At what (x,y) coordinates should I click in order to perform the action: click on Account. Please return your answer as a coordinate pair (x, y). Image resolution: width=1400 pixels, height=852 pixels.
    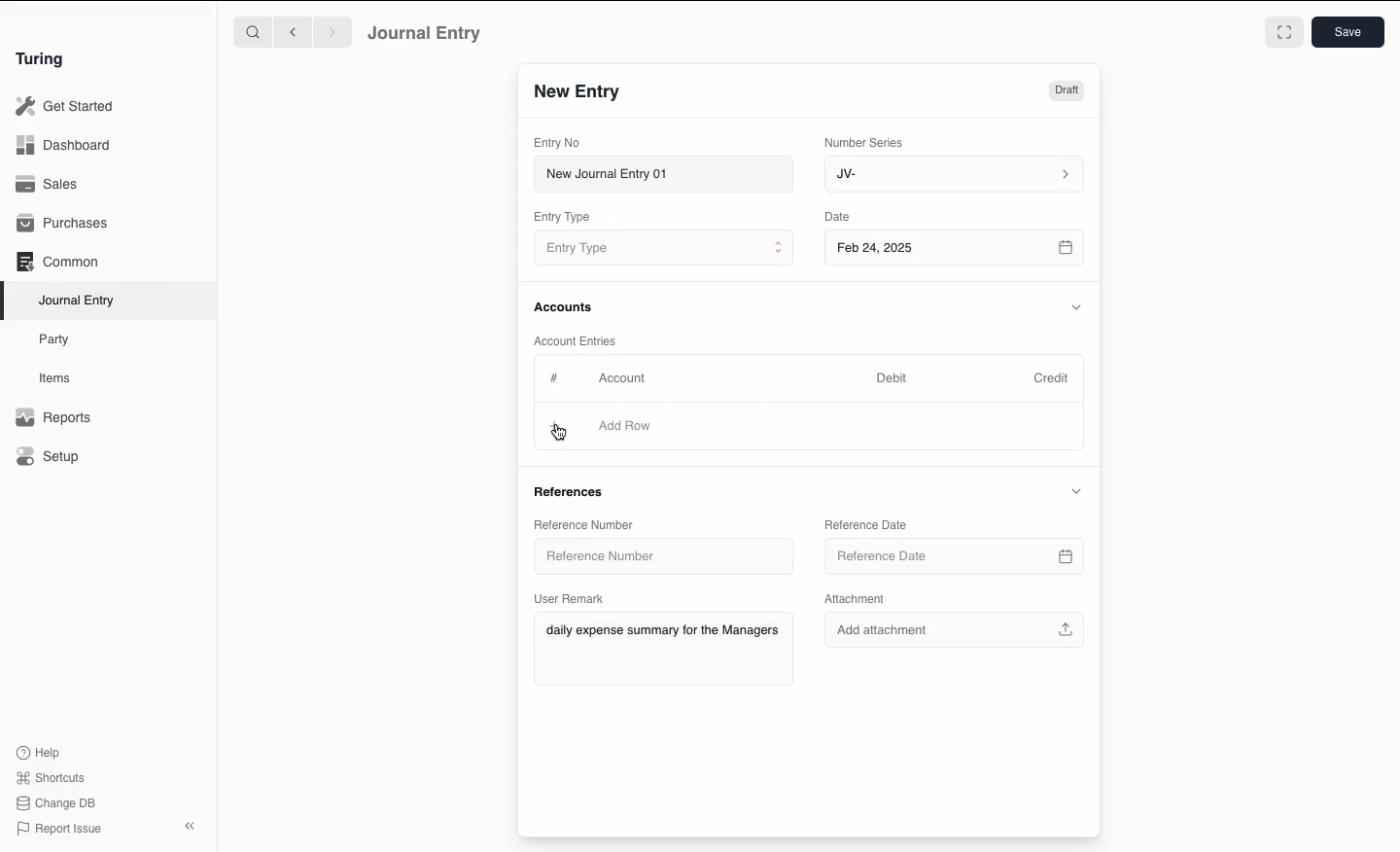
    Looking at the image, I should click on (623, 378).